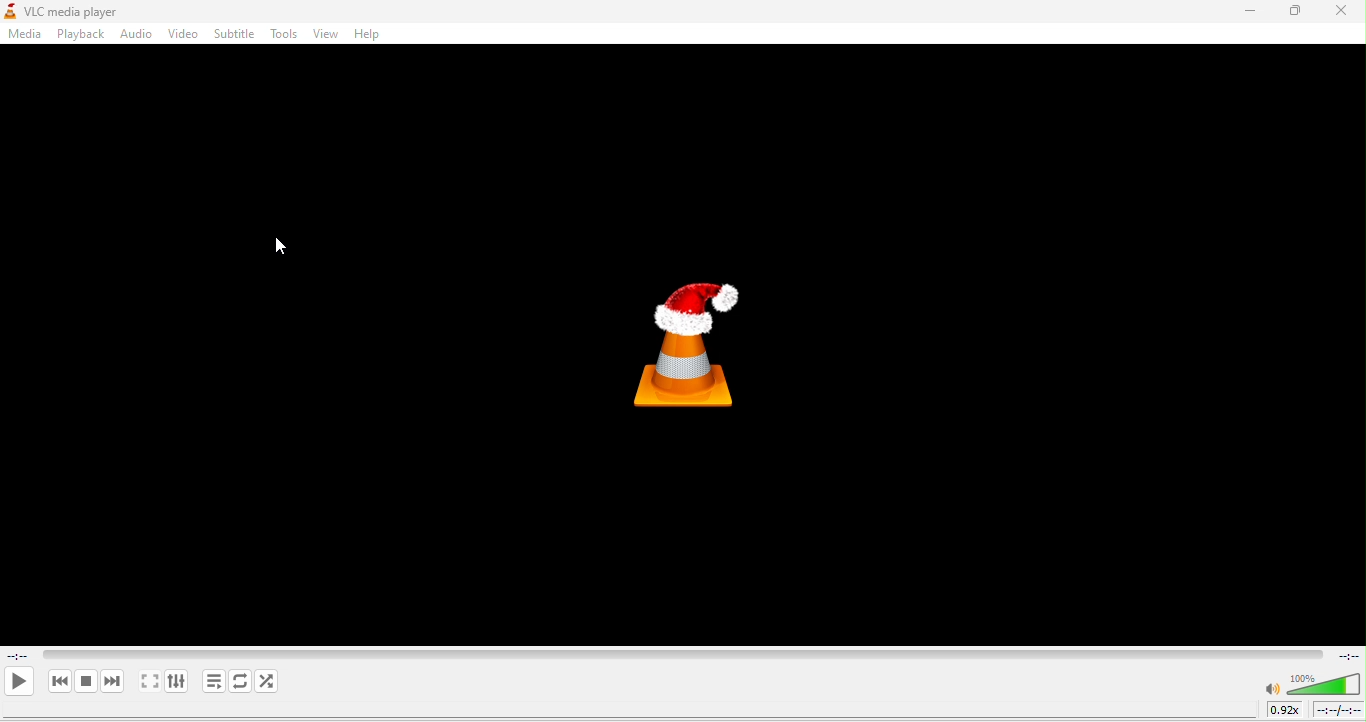 This screenshot has width=1366, height=722. Describe the element at coordinates (25, 35) in the screenshot. I see `media` at that location.